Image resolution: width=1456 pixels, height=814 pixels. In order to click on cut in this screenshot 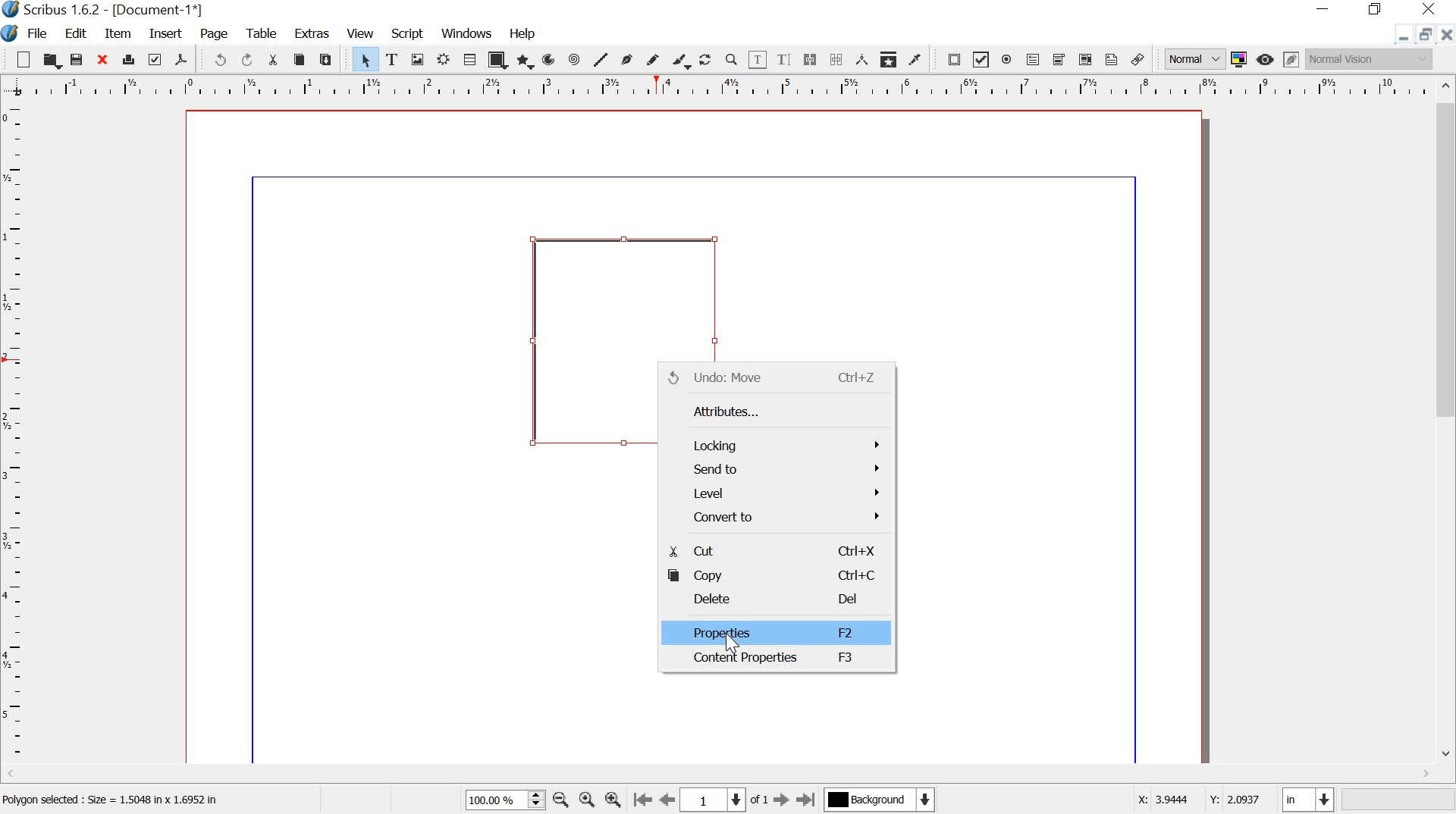, I will do `click(272, 59)`.